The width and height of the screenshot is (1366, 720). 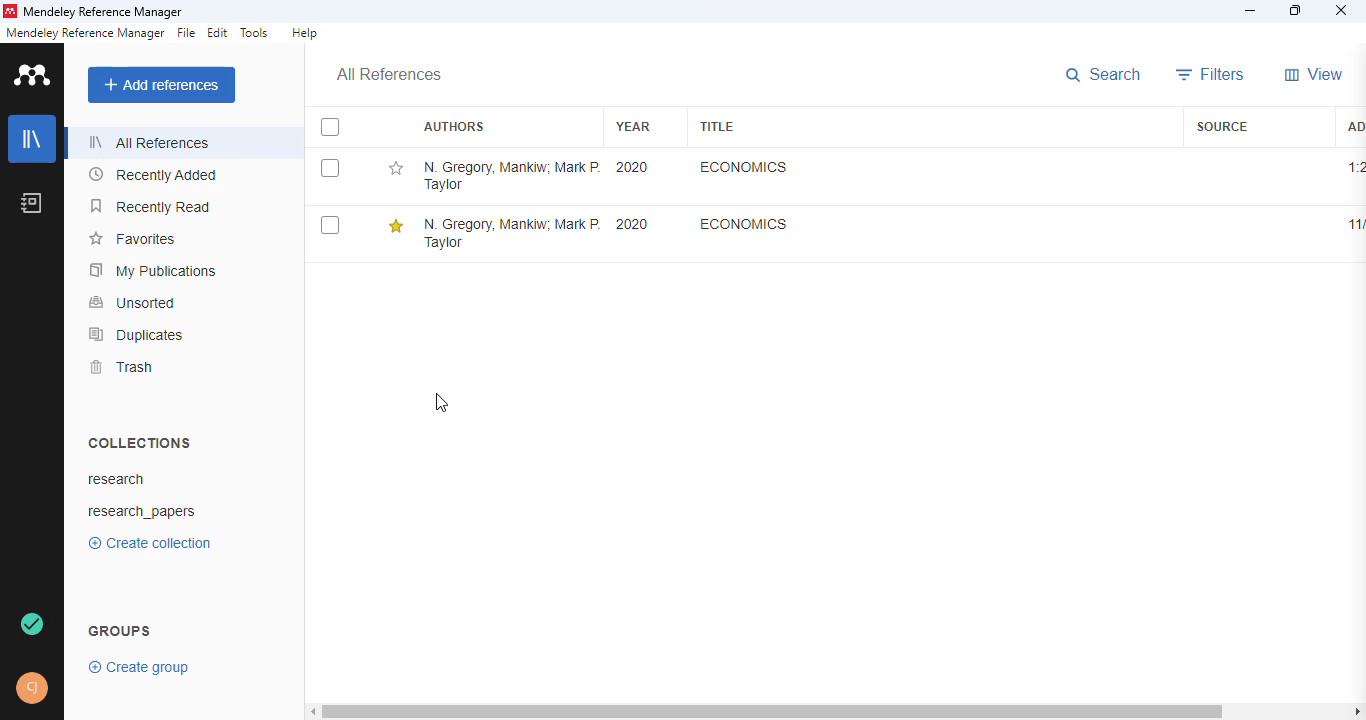 I want to click on research_papers, so click(x=143, y=513).